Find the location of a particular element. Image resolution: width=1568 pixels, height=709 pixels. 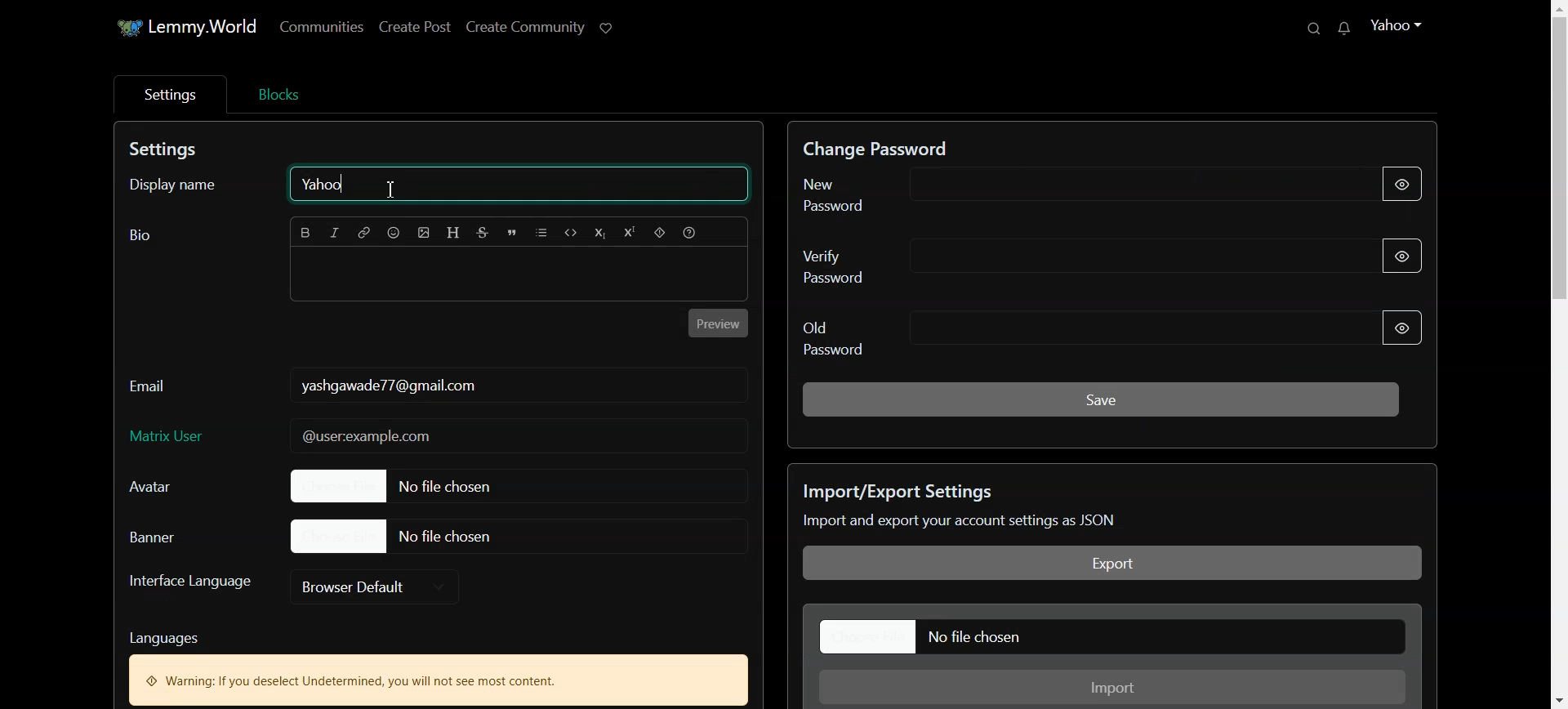

Preview is located at coordinates (719, 323).